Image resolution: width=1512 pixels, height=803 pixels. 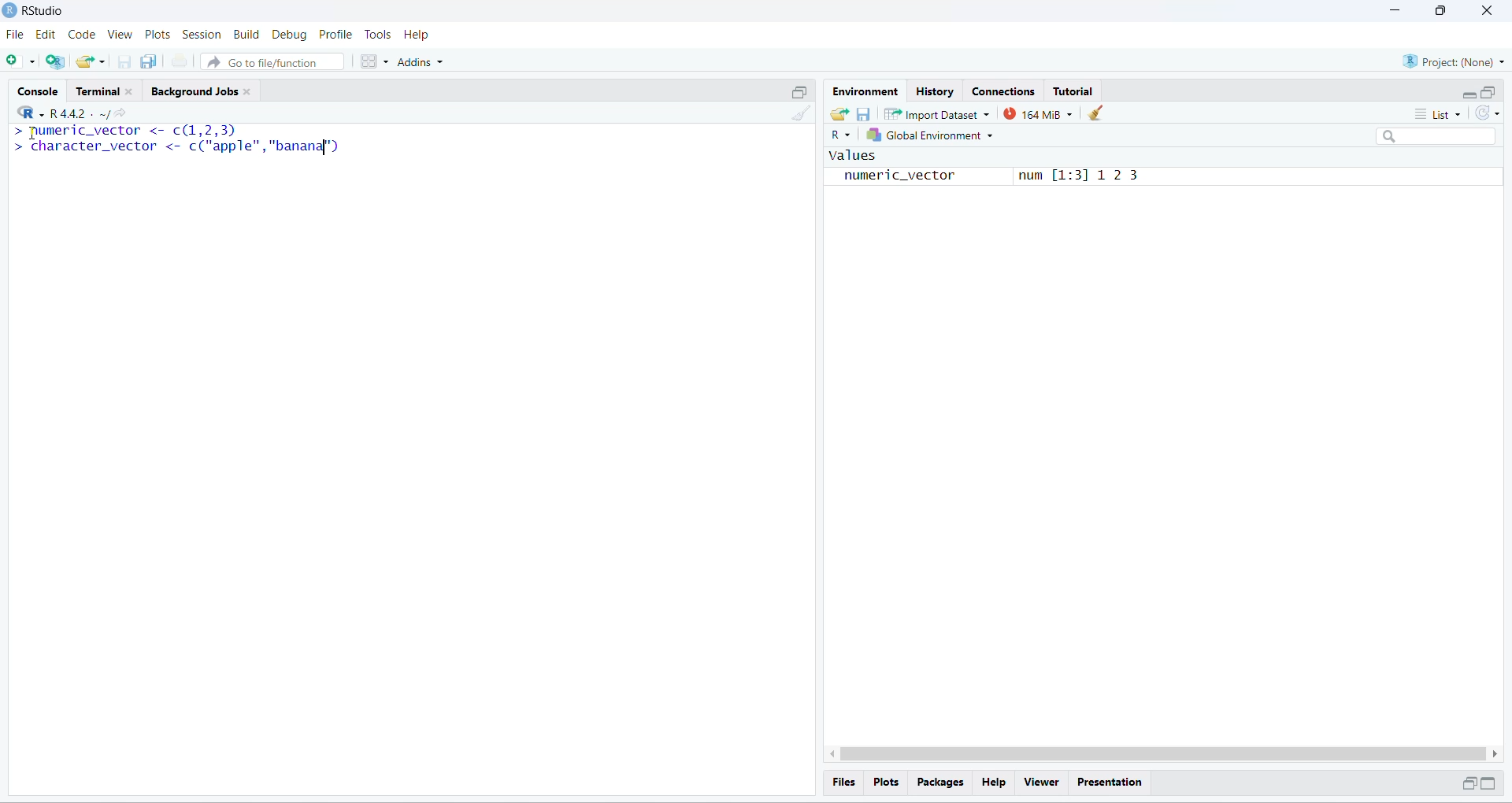 I want to click on History, so click(x=935, y=90).